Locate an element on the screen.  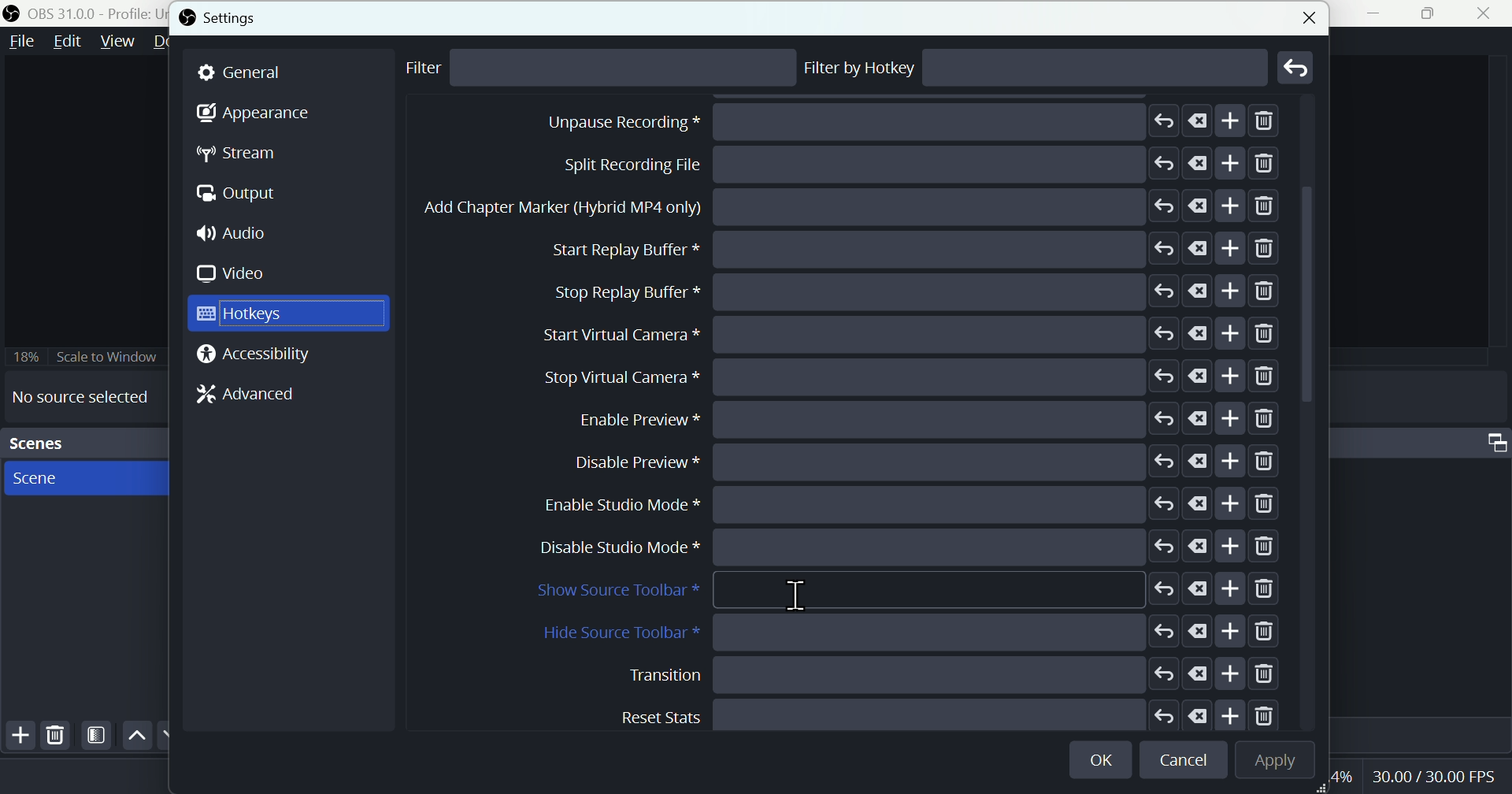
close is located at coordinates (1488, 13).